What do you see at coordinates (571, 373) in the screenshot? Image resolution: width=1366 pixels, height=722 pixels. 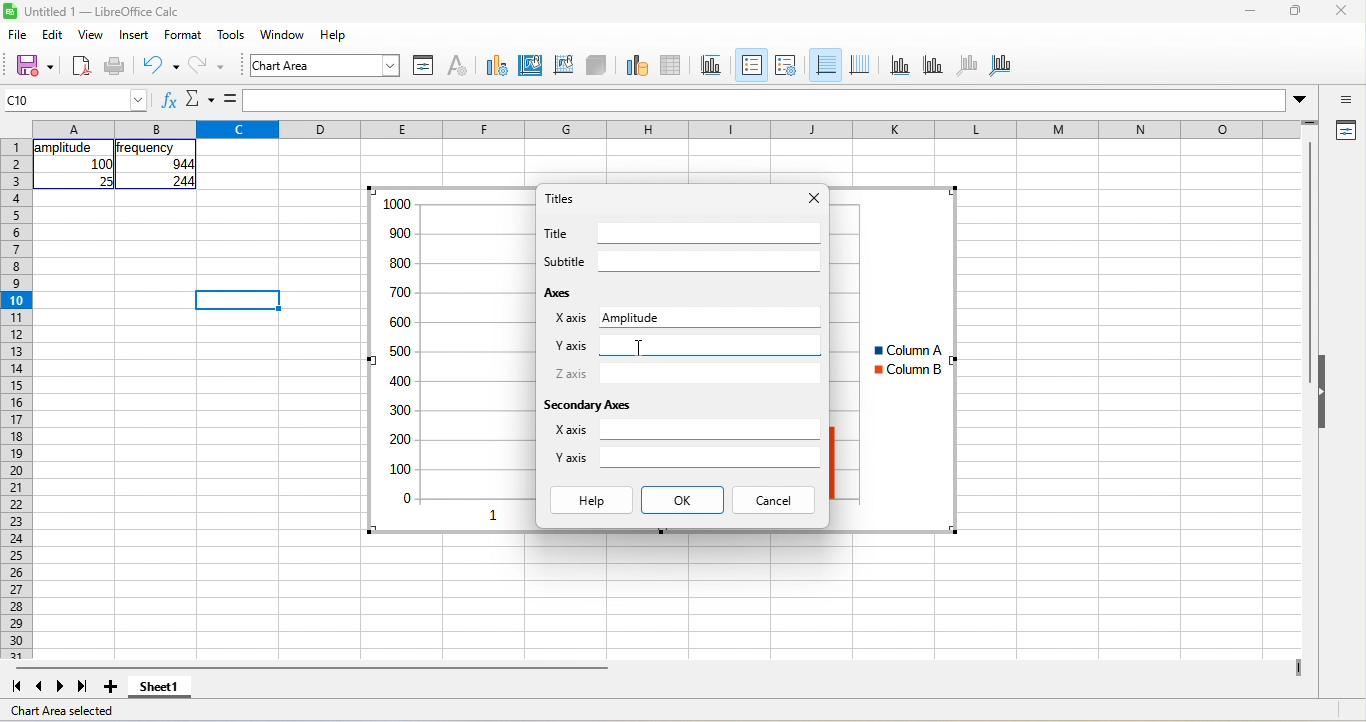 I see `Z axis` at bounding box center [571, 373].